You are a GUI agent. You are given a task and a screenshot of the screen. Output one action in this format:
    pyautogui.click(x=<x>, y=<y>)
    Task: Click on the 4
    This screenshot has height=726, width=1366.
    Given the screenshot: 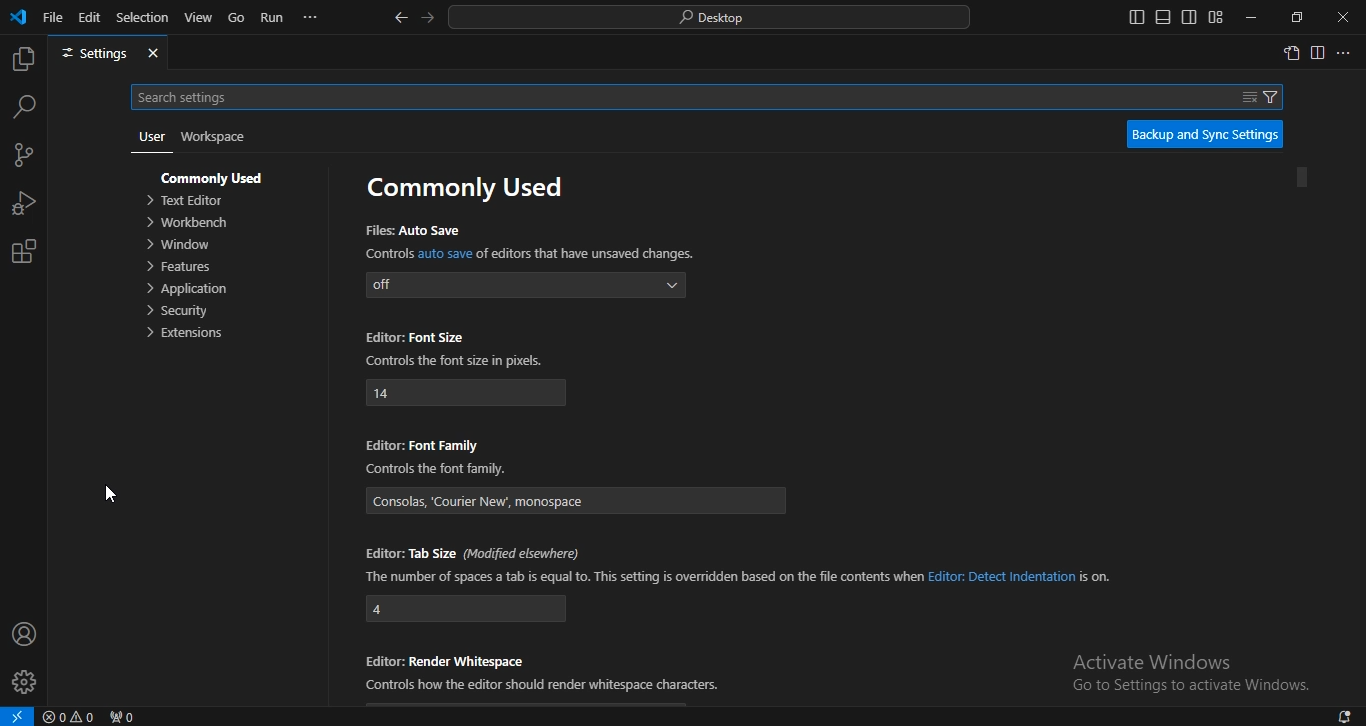 What is the action you would take?
    pyautogui.click(x=464, y=608)
    